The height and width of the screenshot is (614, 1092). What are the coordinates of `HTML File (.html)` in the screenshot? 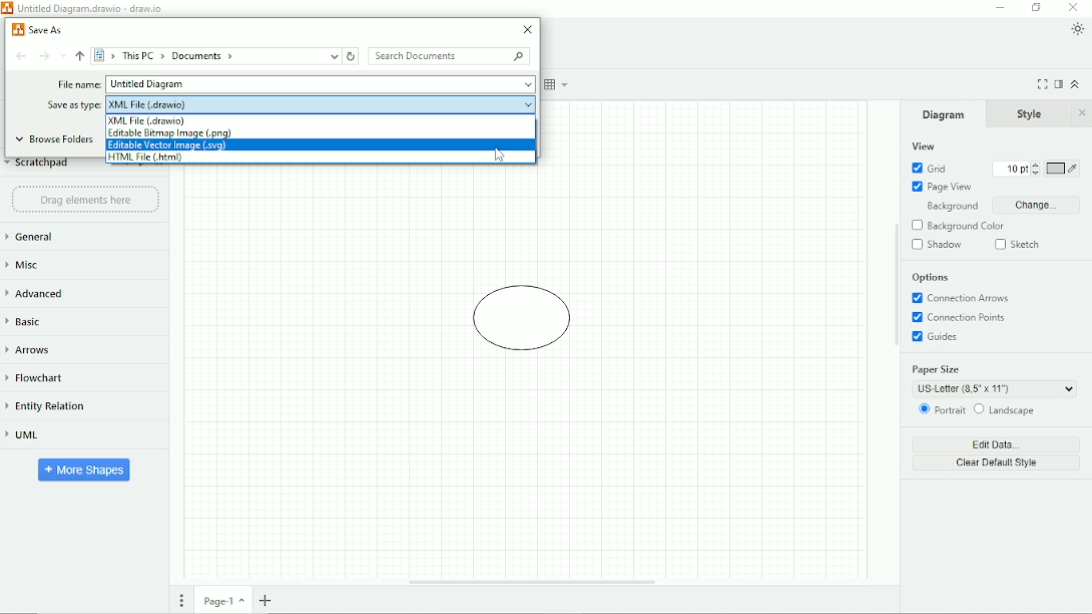 It's located at (149, 157).